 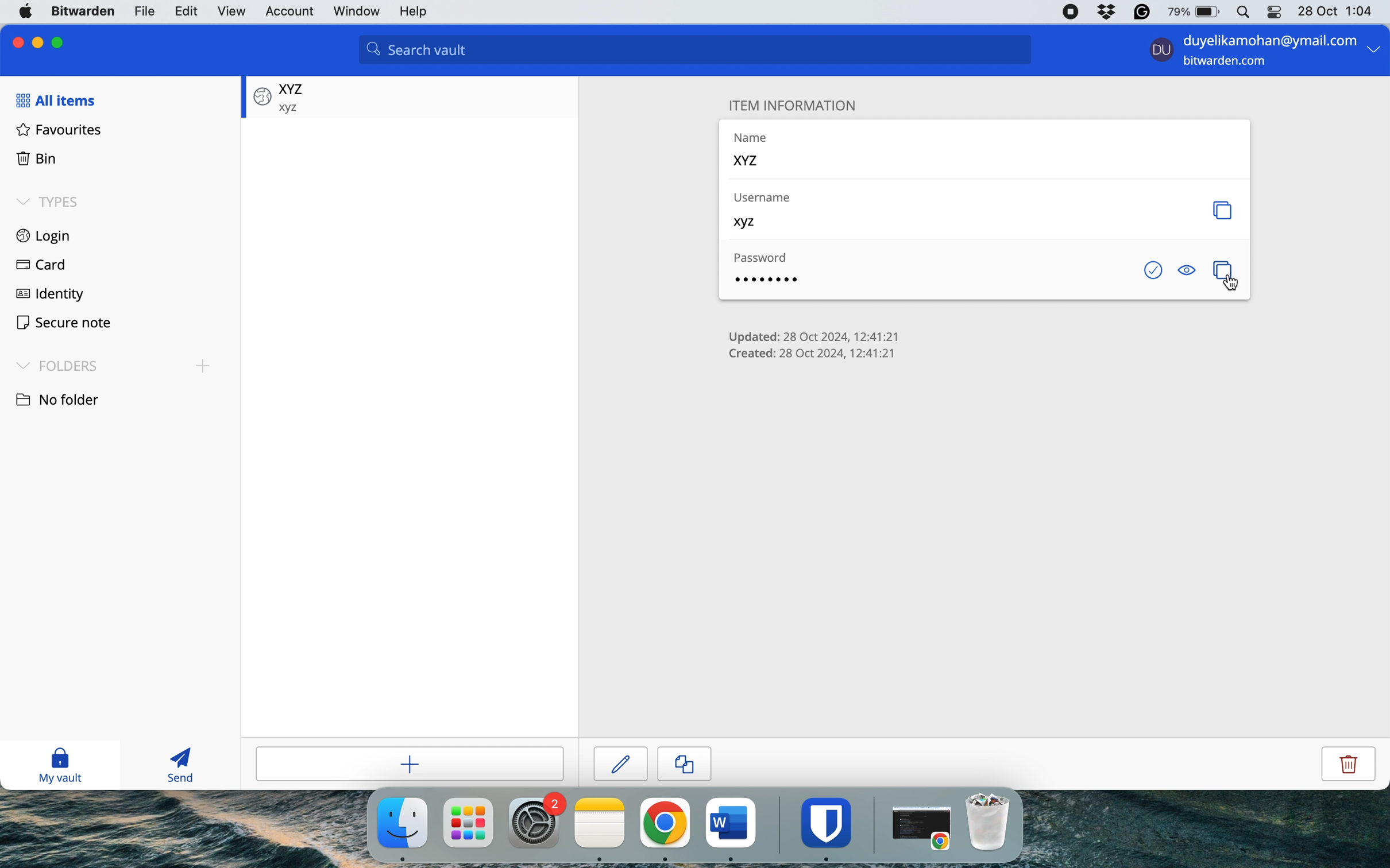 I want to click on click cursor, so click(x=1237, y=288).